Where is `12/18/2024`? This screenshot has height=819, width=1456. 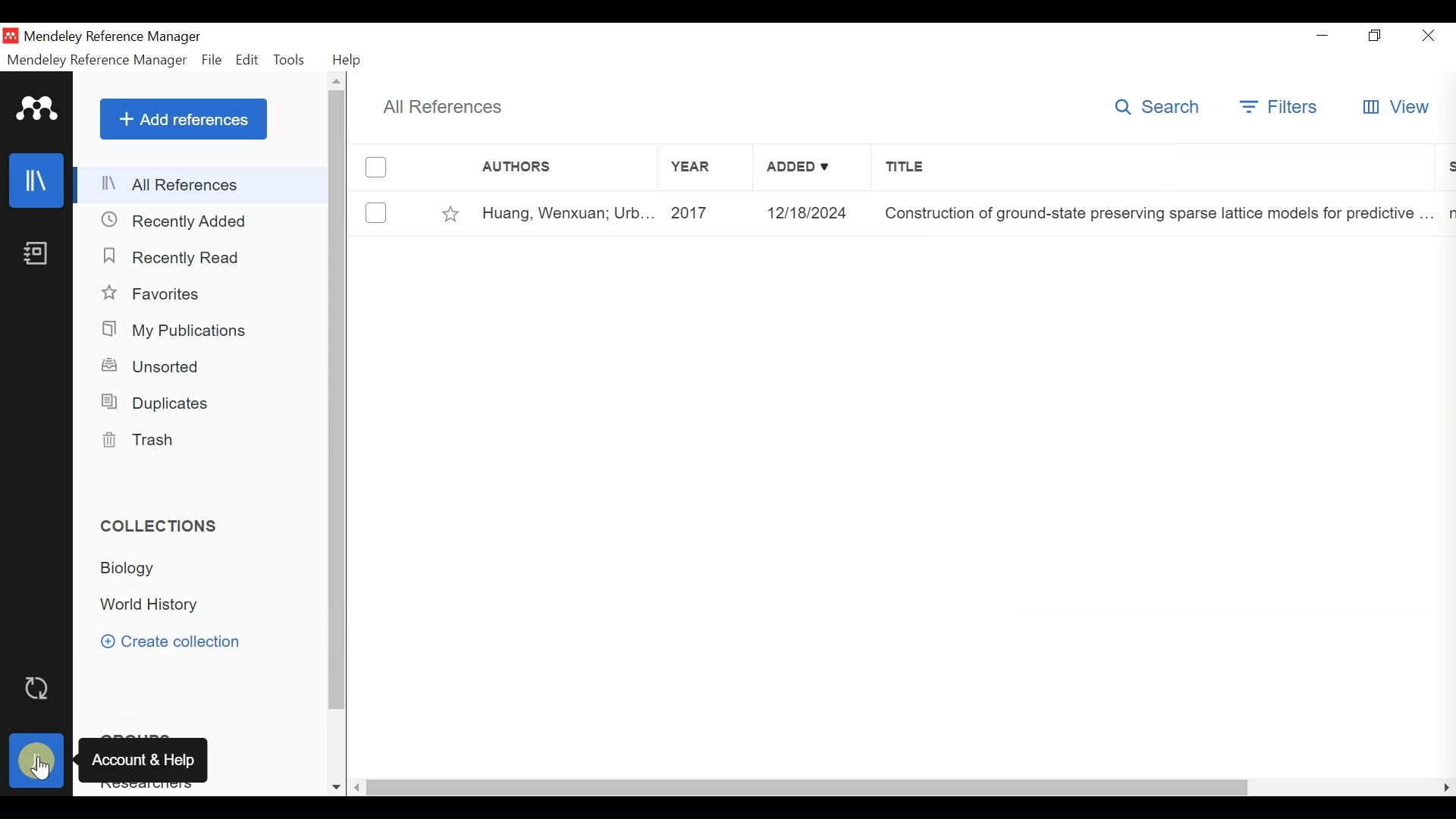
12/18/2024 is located at coordinates (814, 214).